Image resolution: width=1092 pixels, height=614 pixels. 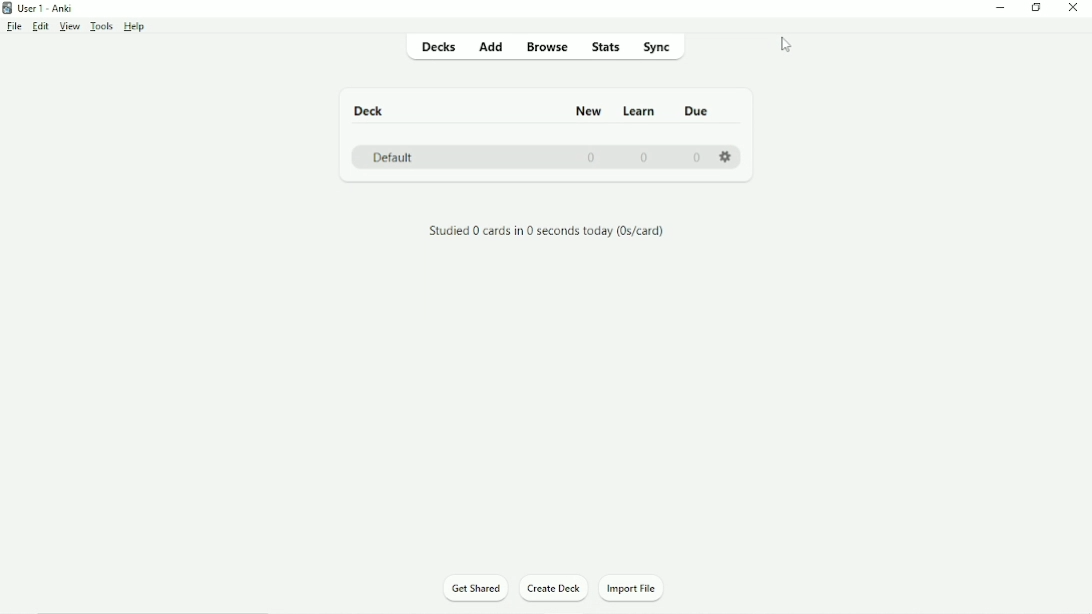 What do you see at coordinates (102, 26) in the screenshot?
I see `Tools` at bounding box center [102, 26].